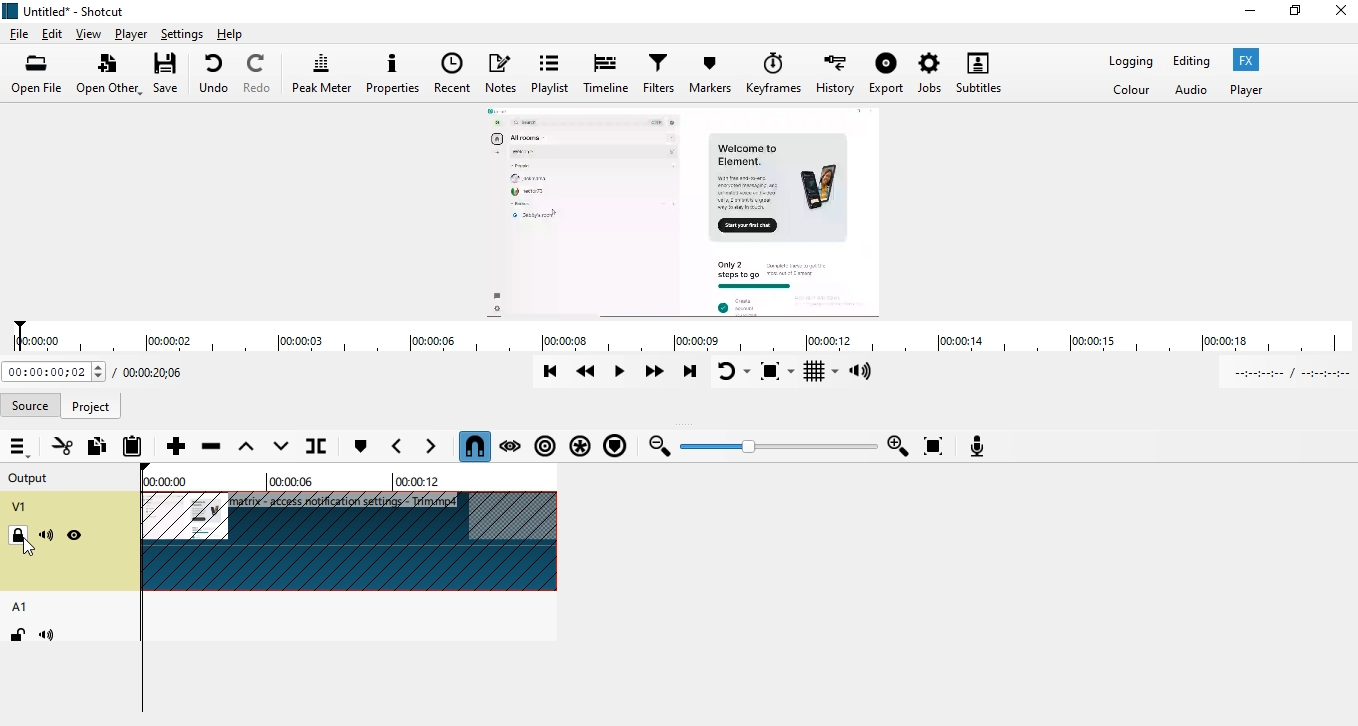 The height and width of the screenshot is (726, 1358). Describe the element at coordinates (821, 372) in the screenshot. I see `Toggle grid display ` at that location.